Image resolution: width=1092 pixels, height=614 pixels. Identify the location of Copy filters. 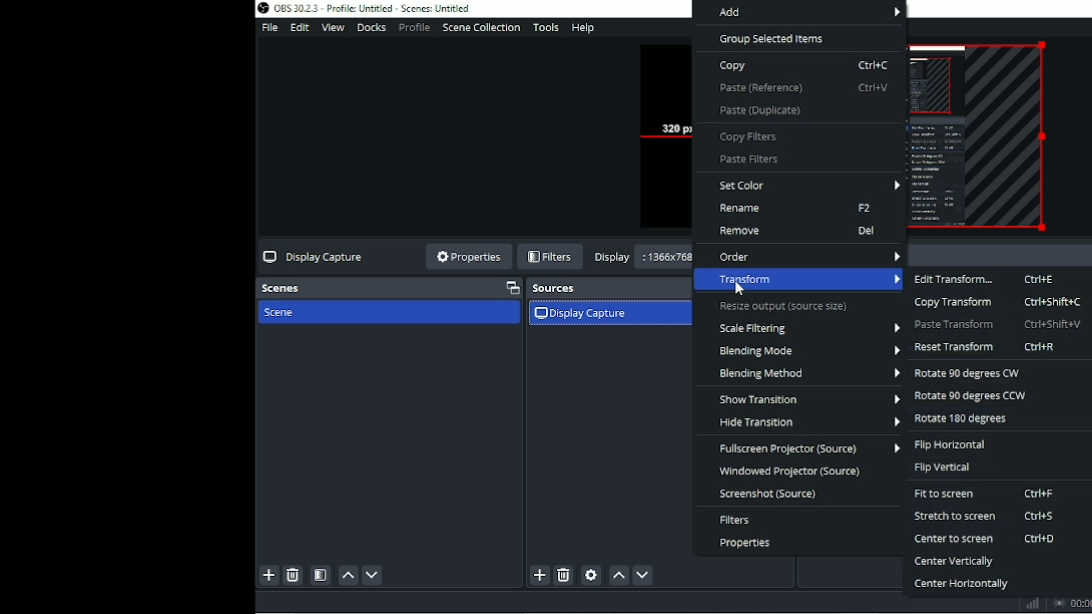
(753, 137).